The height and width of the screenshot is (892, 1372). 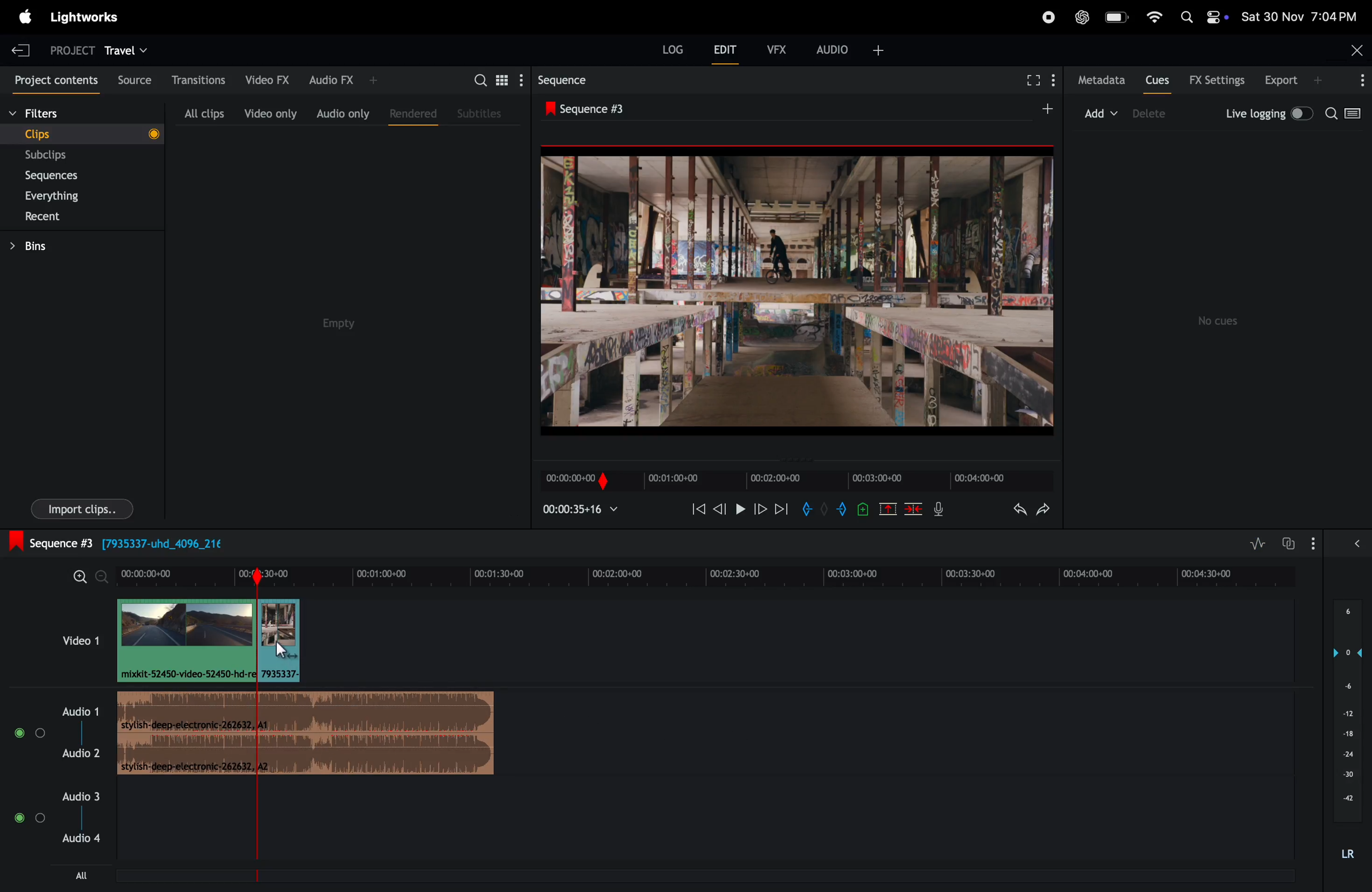 What do you see at coordinates (728, 51) in the screenshot?
I see `edit` at bounding box center [728, 51].